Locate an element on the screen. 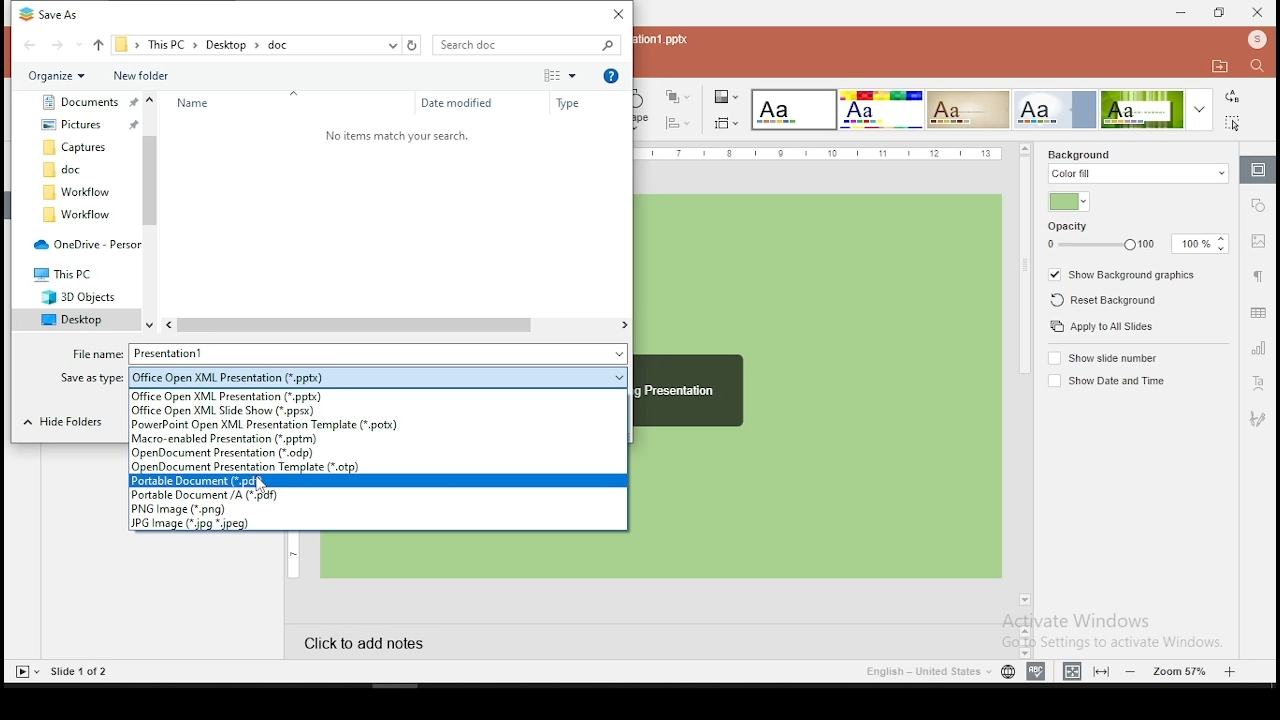  macro-enabled presentation is located at coordinates (378, 440).